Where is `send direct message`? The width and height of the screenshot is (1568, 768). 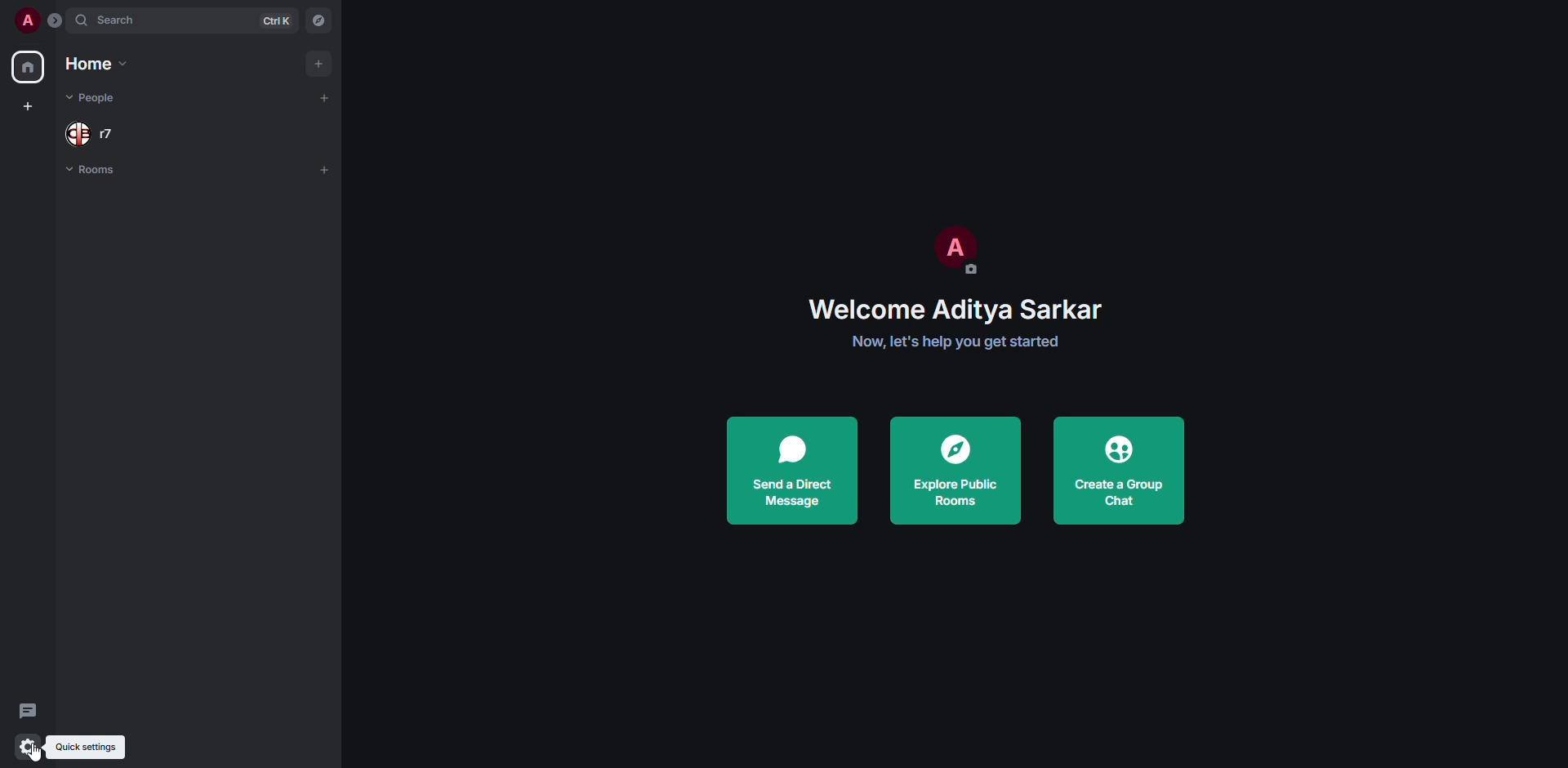 send direct message is located at coordinates (791, 470).